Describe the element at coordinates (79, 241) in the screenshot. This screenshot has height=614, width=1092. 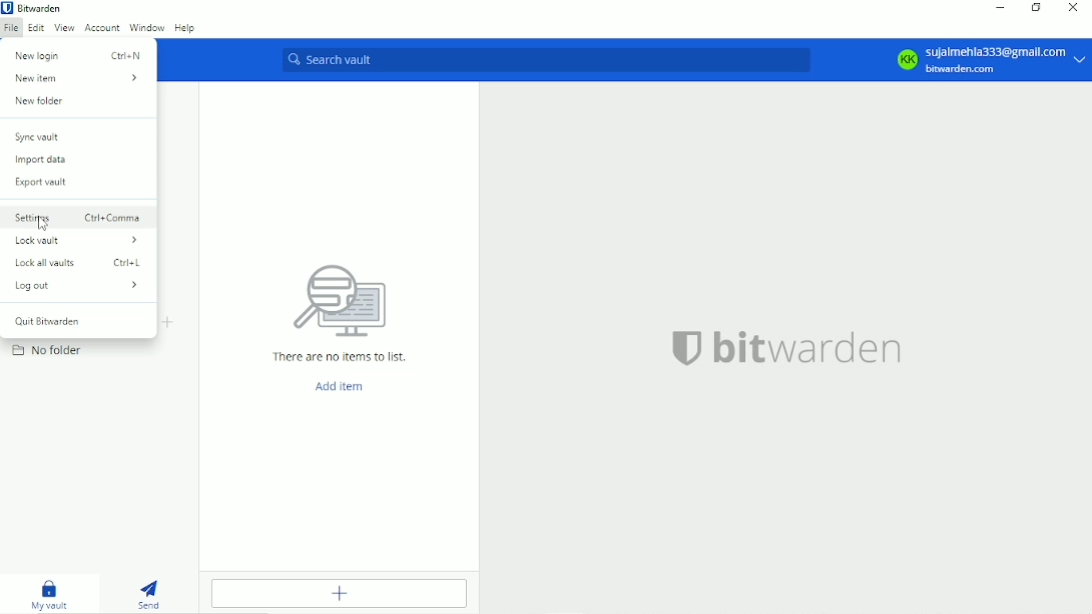
I see `Lock vault` at that location.